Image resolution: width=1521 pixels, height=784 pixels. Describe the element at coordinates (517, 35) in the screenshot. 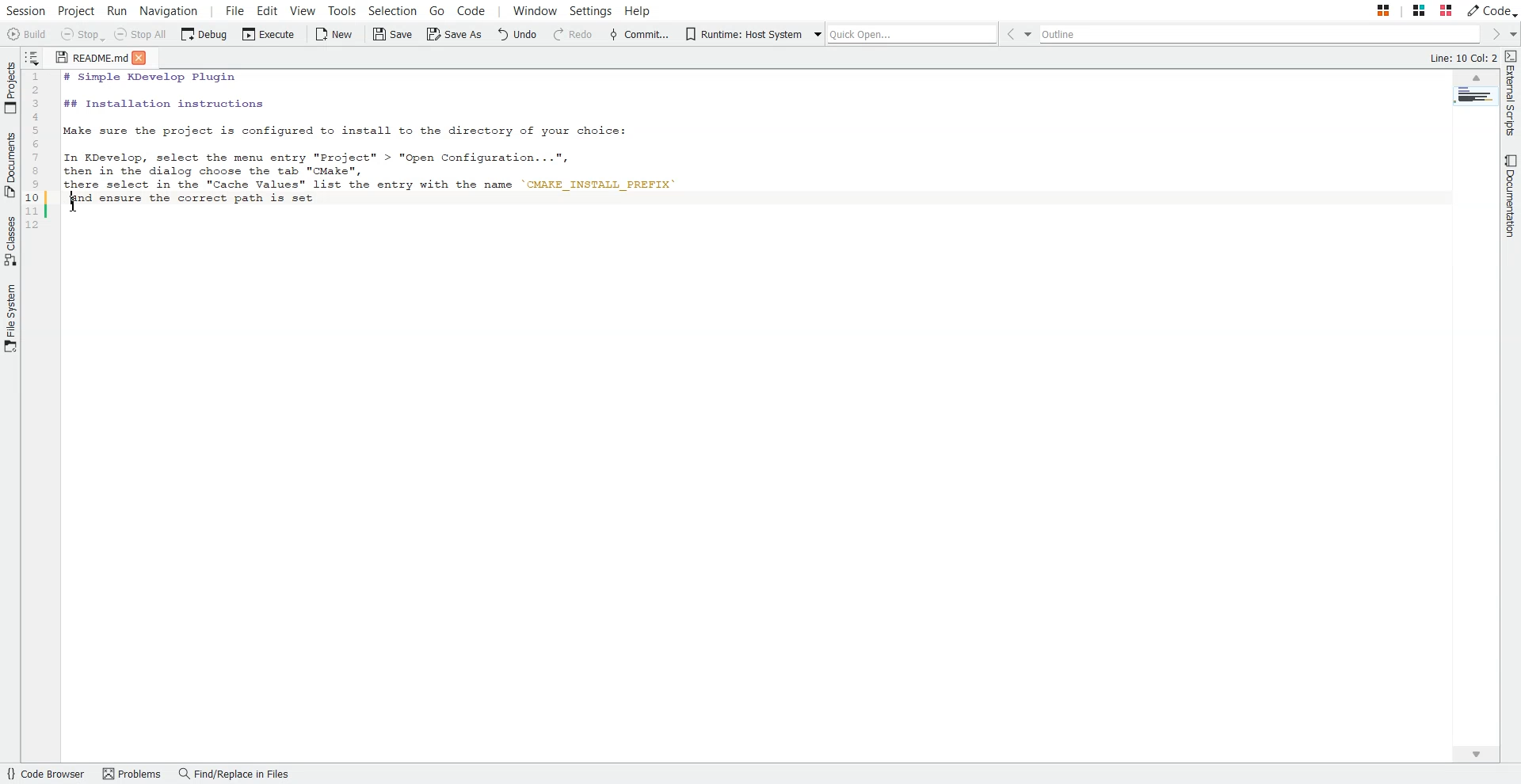

I see `Undo` at that location.